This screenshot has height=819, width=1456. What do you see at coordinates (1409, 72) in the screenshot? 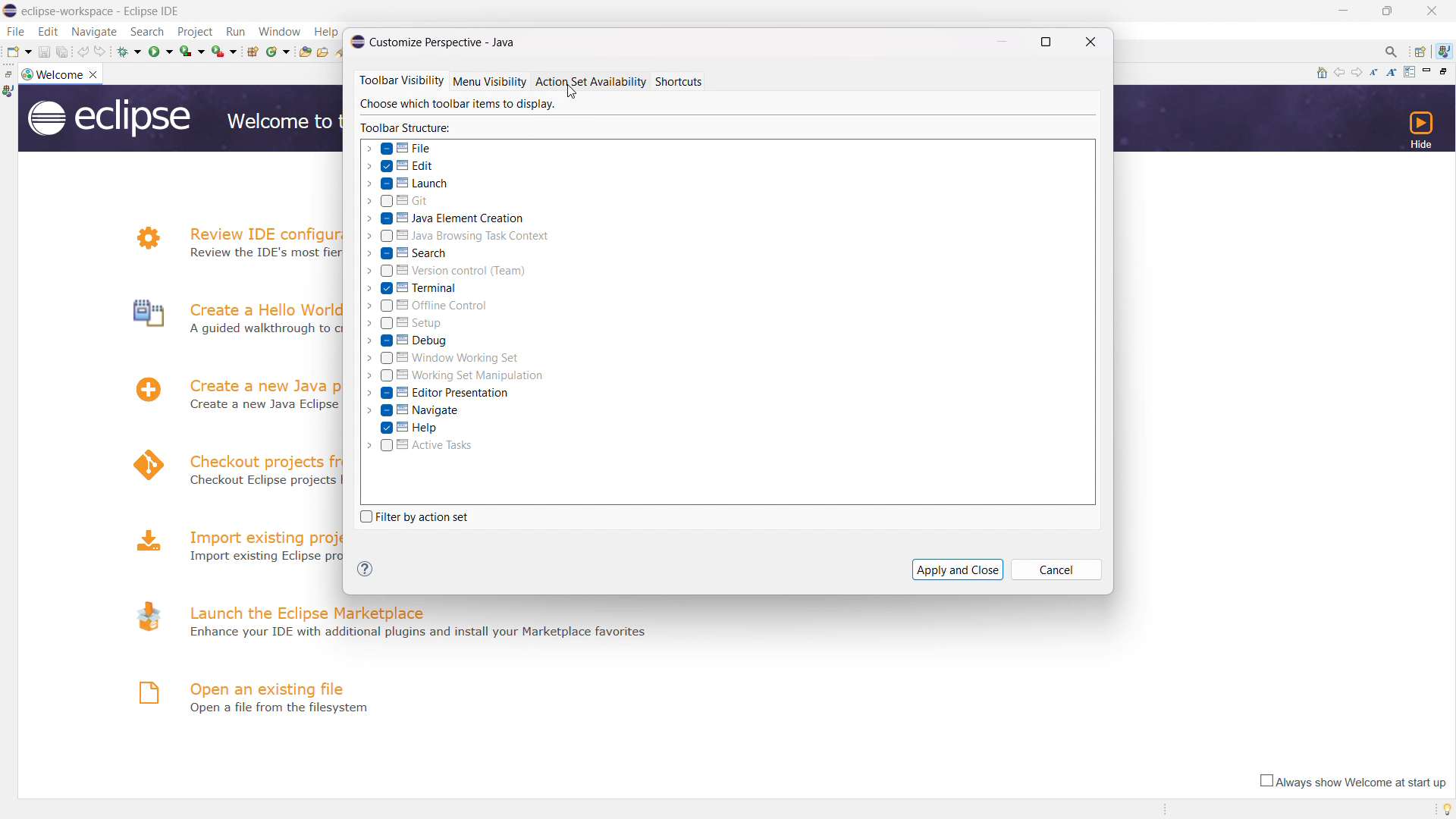
I see `customize page` at bounding box center [1409, 72].